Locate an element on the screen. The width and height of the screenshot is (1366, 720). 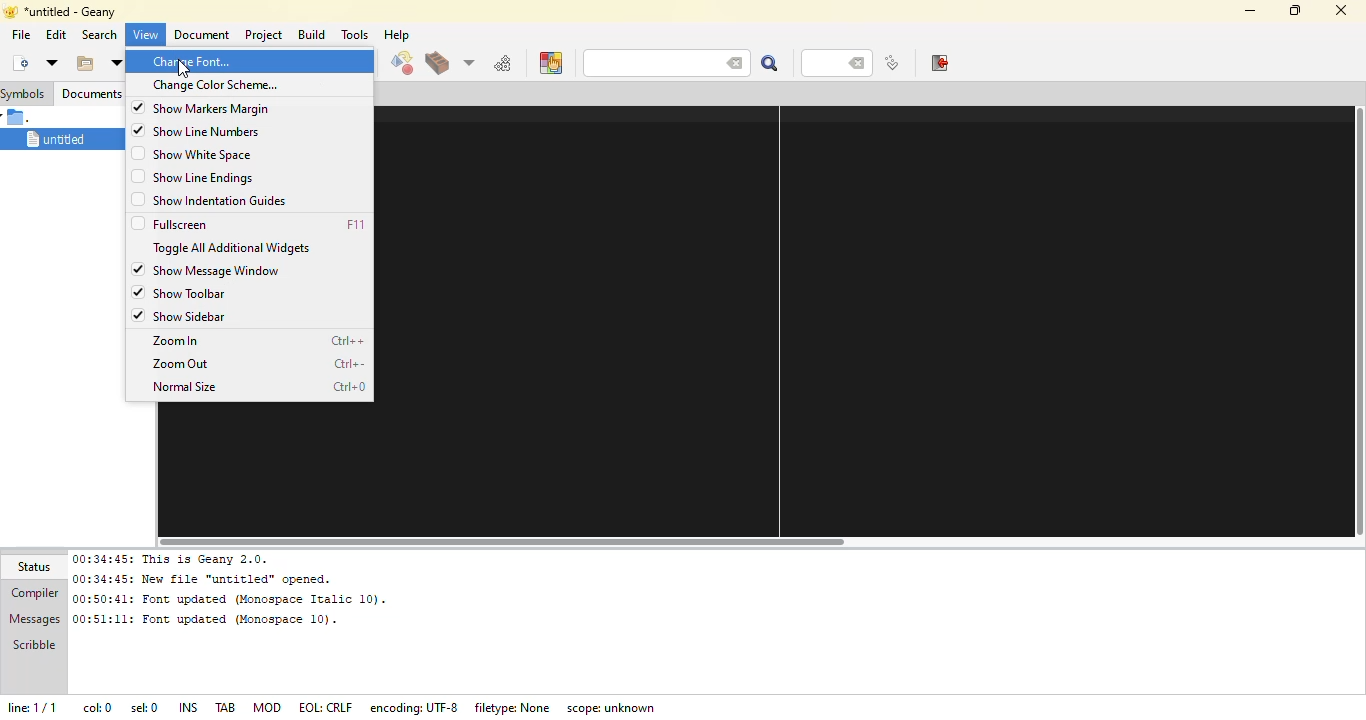
search is located at coordinates (768, 63).